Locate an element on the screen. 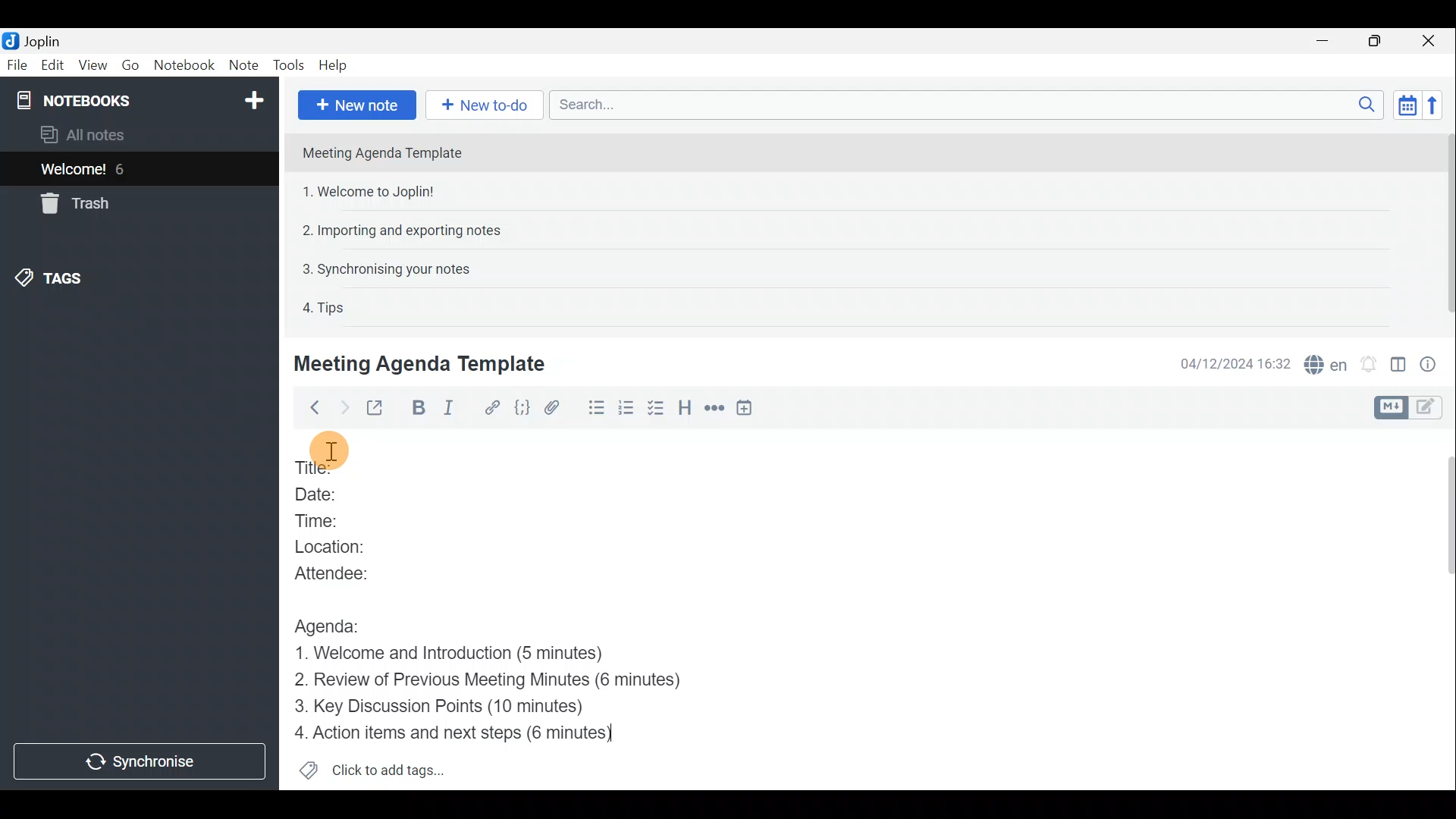  Back is located at coordinates (310, 410).